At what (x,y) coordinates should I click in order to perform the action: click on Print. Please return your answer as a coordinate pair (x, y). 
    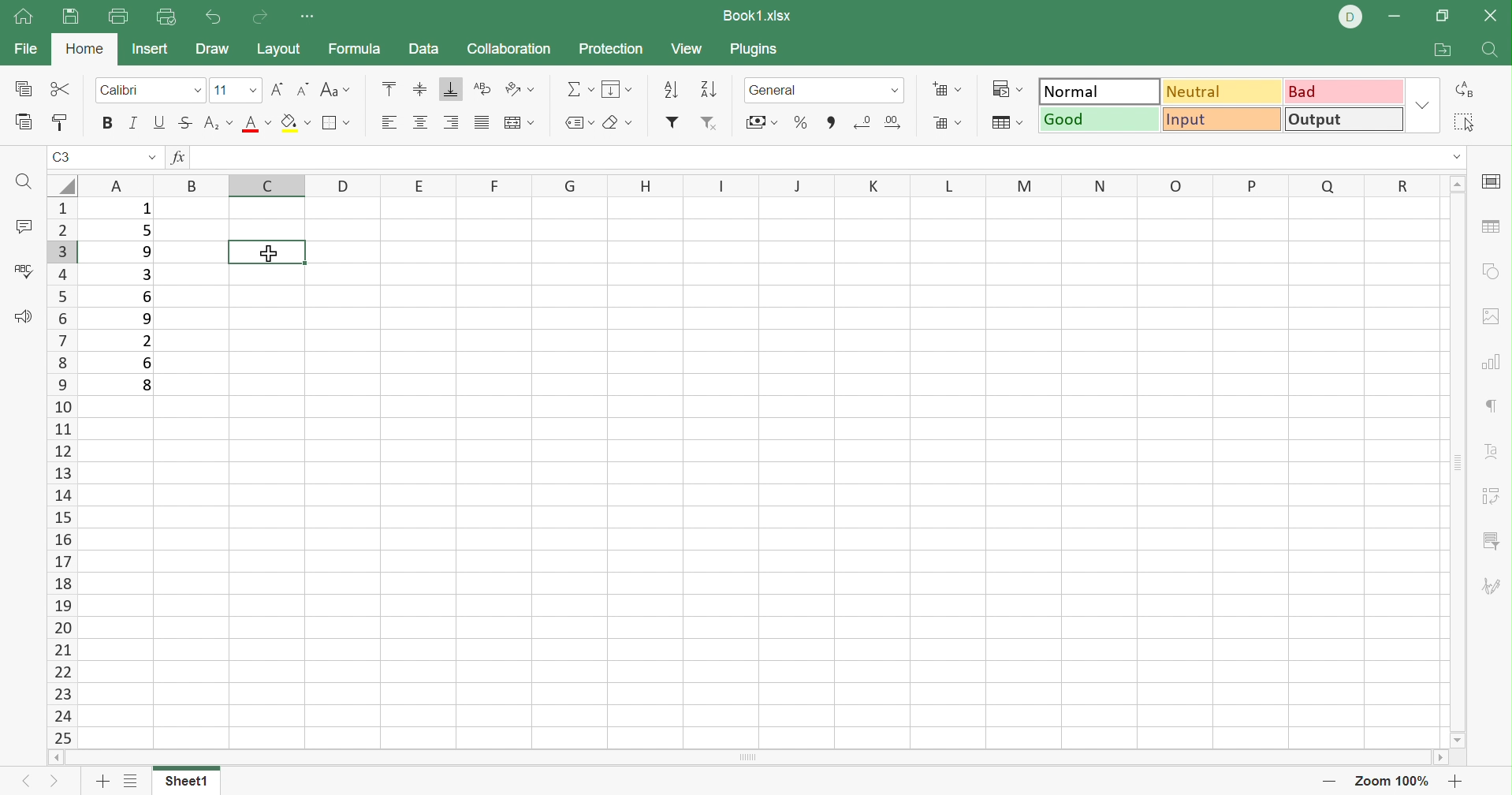
    Looking at the image, I should click on (121, 16).